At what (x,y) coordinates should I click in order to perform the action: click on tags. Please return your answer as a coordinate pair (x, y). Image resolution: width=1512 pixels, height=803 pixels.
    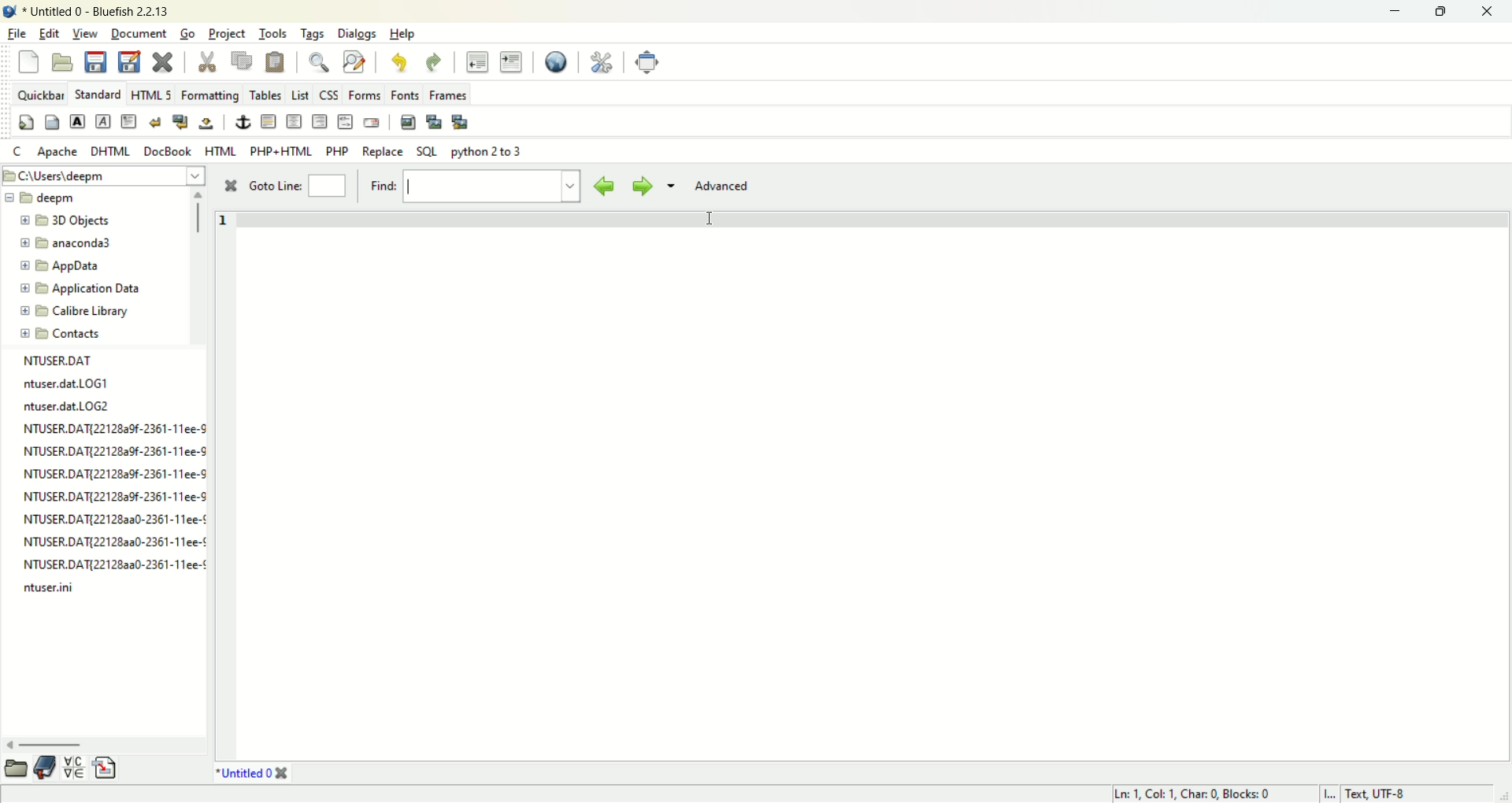
    Looking at the image, I should click on (311, 34).